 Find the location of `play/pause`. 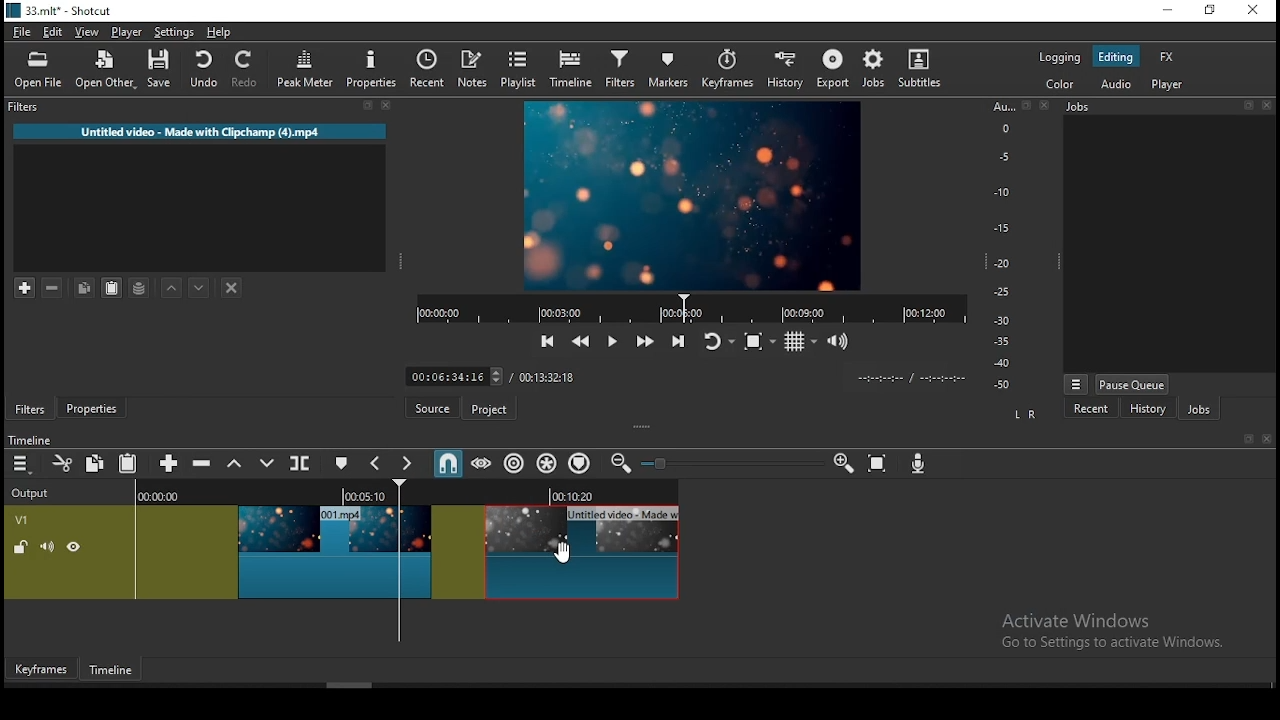

play/pause is located at coordinates (610, 345).